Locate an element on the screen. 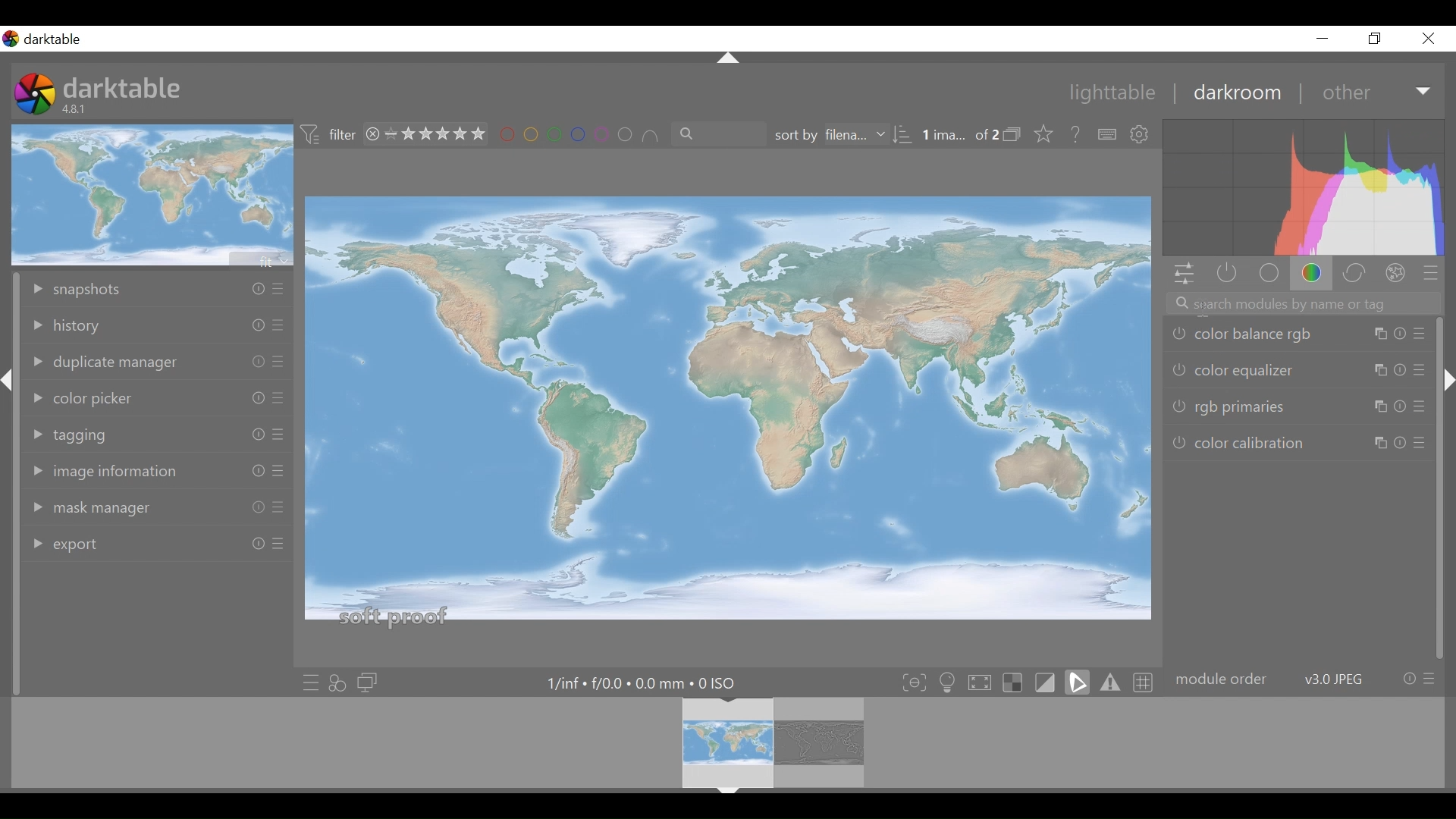 The image size is (1456, 819). expand/collapse is located at coordinates (9, 382).